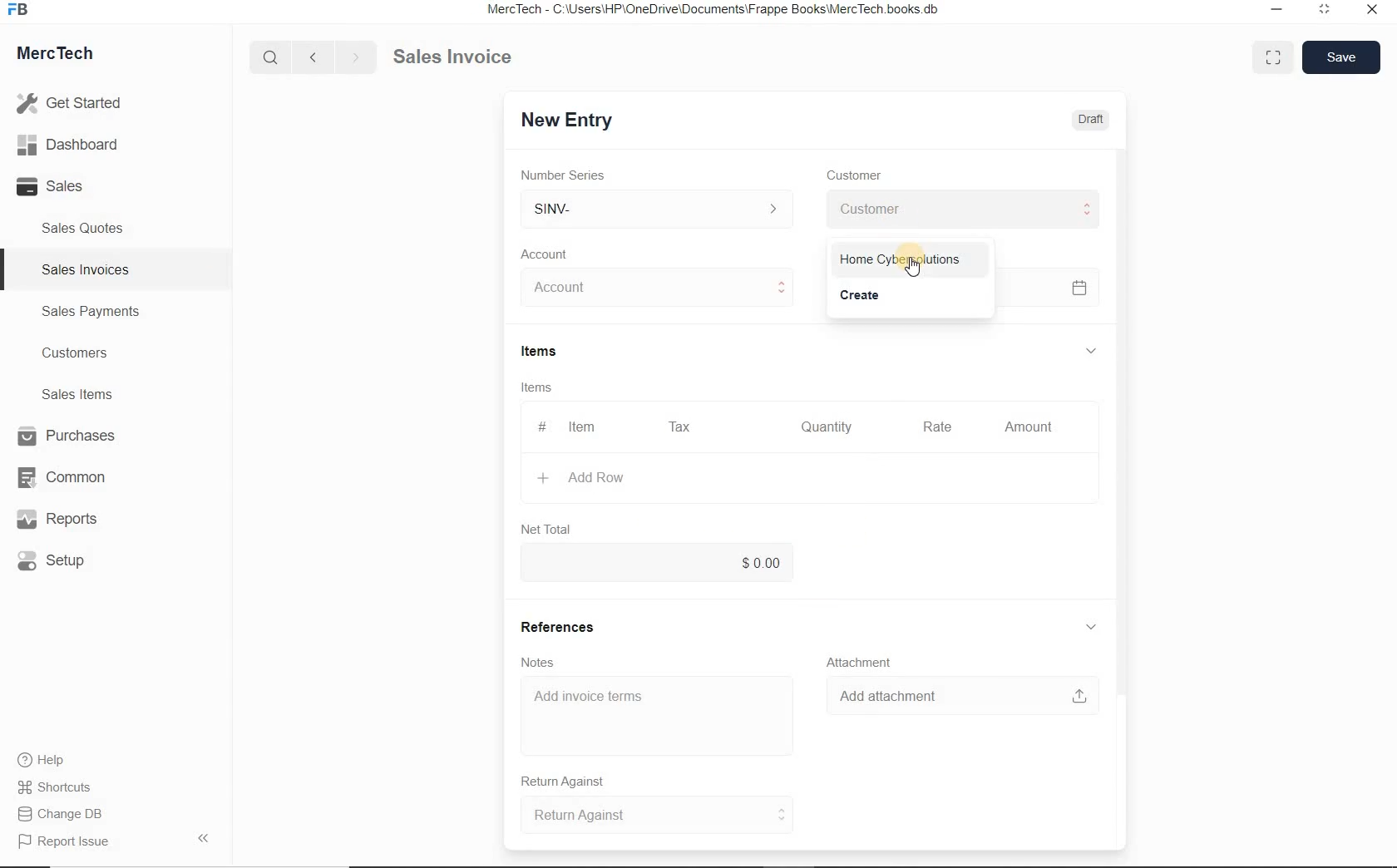 Image resolution: width=1397 pixels, height=868 pixels. Describe the element at coordinates (1269, 56) in the screenshot. I see `Toggle between form and full width` at that location.